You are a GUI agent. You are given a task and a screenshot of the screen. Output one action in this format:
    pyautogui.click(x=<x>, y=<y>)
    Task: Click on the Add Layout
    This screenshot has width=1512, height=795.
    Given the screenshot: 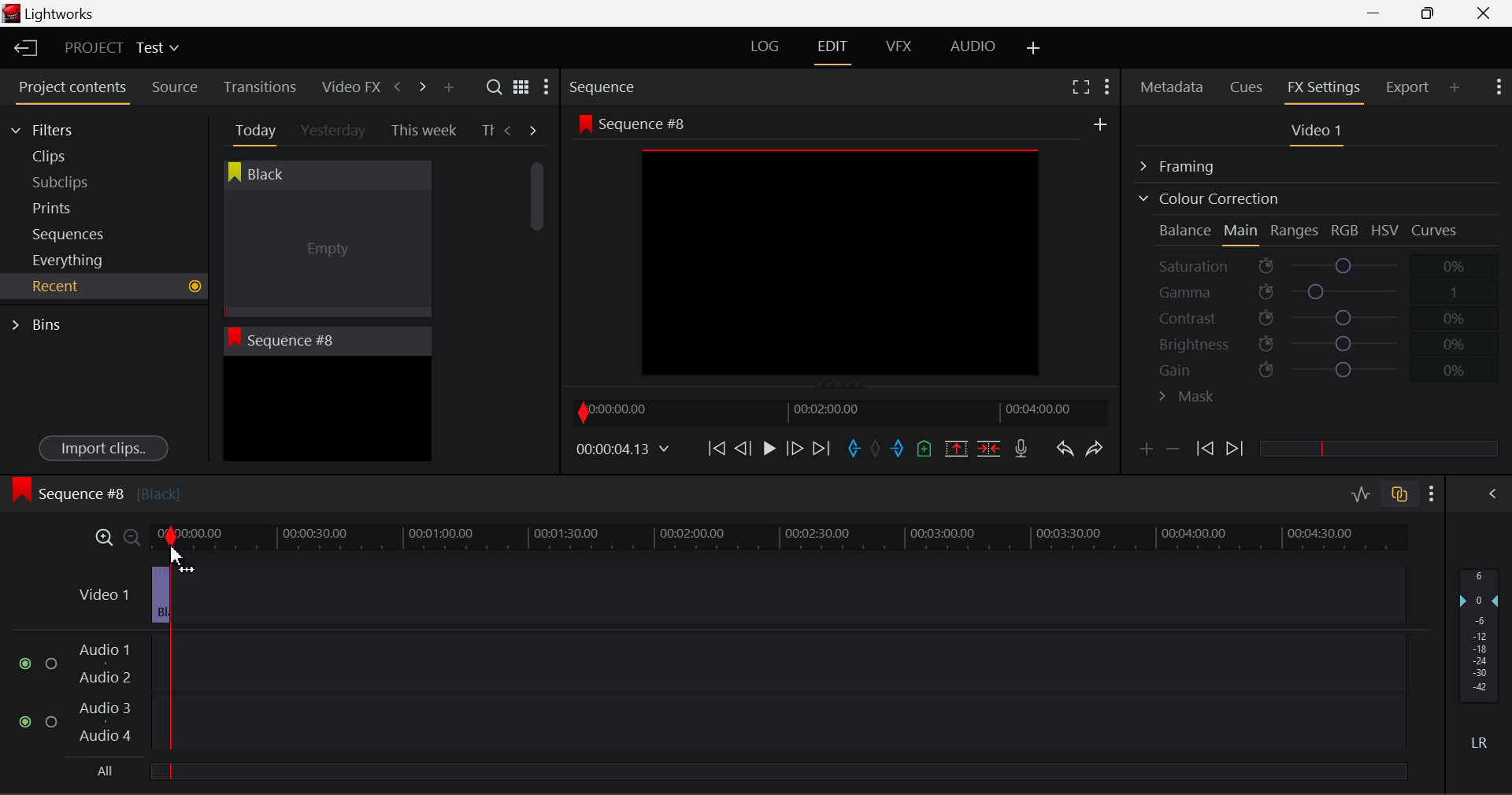 What is the action you would take?
    pyautogui.click(x=1034, y=49)
    